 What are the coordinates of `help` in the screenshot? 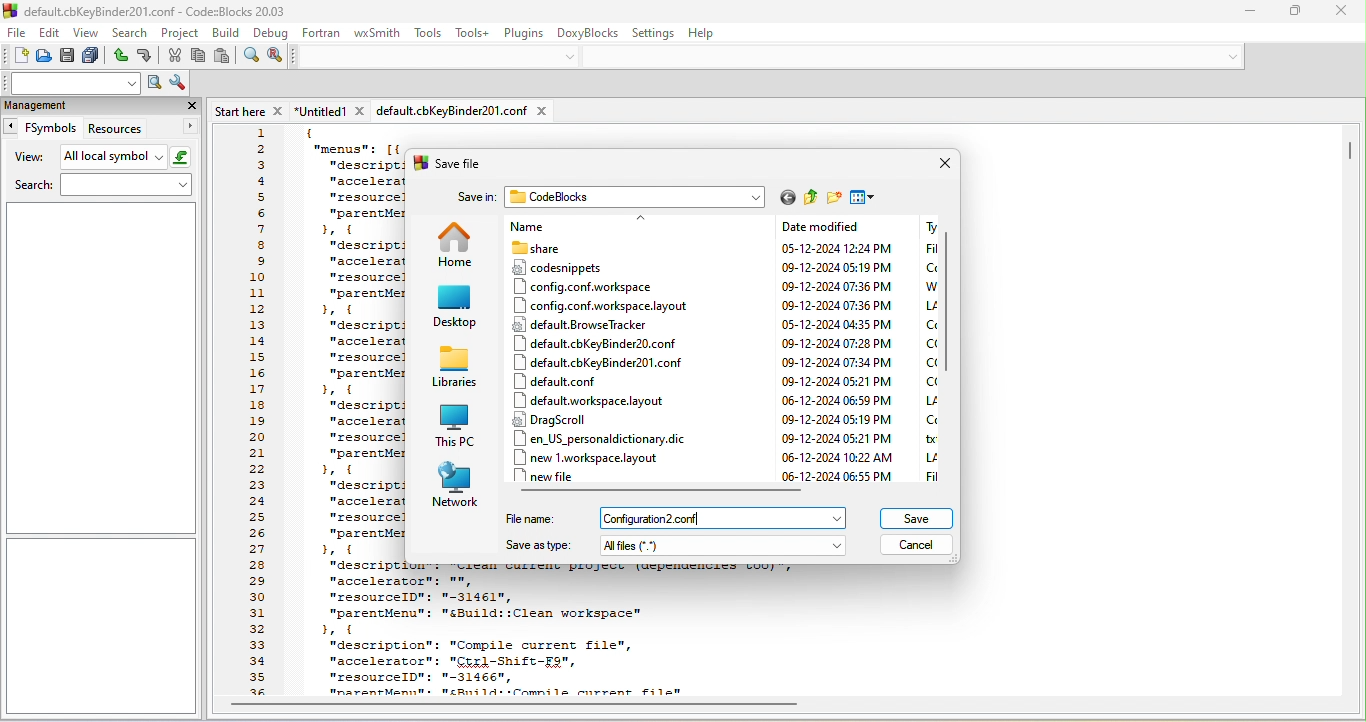 It's located at (706, 32).